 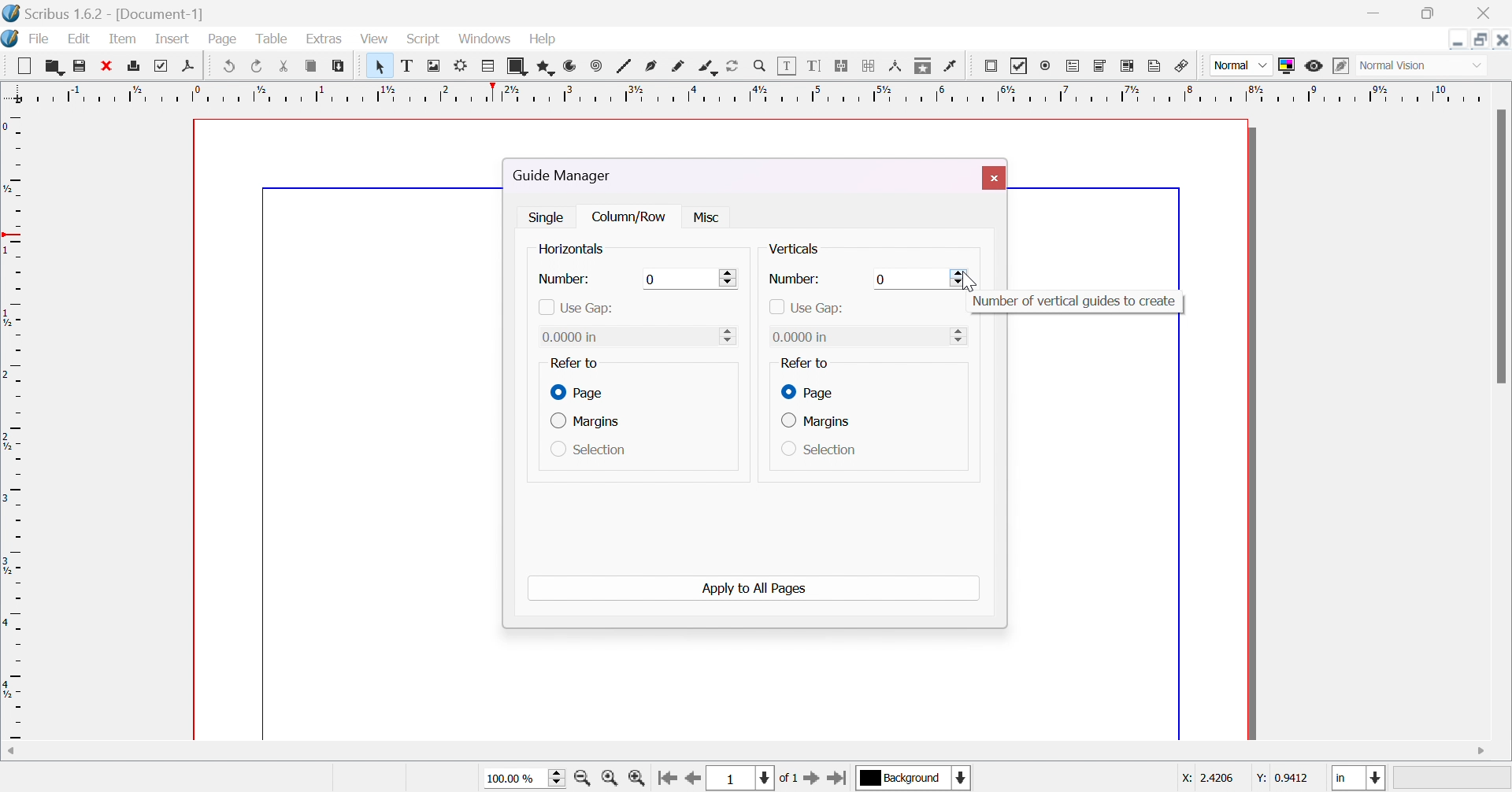 I want to click on link text frames, so click(x=844, y=67).